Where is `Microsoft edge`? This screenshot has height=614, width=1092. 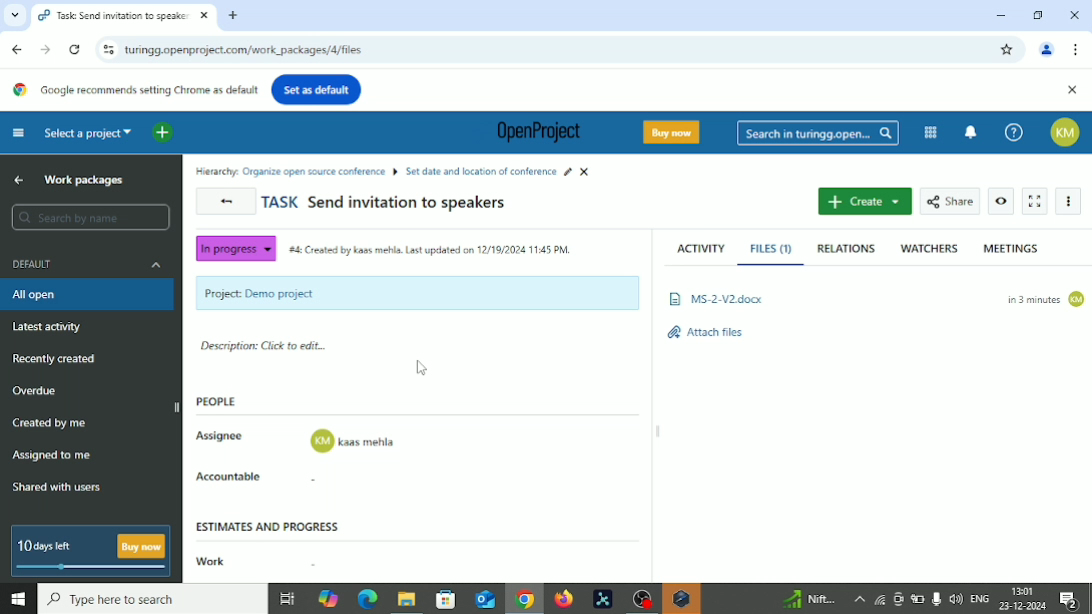 Microsoft edge is located at coordinates (366, 600).